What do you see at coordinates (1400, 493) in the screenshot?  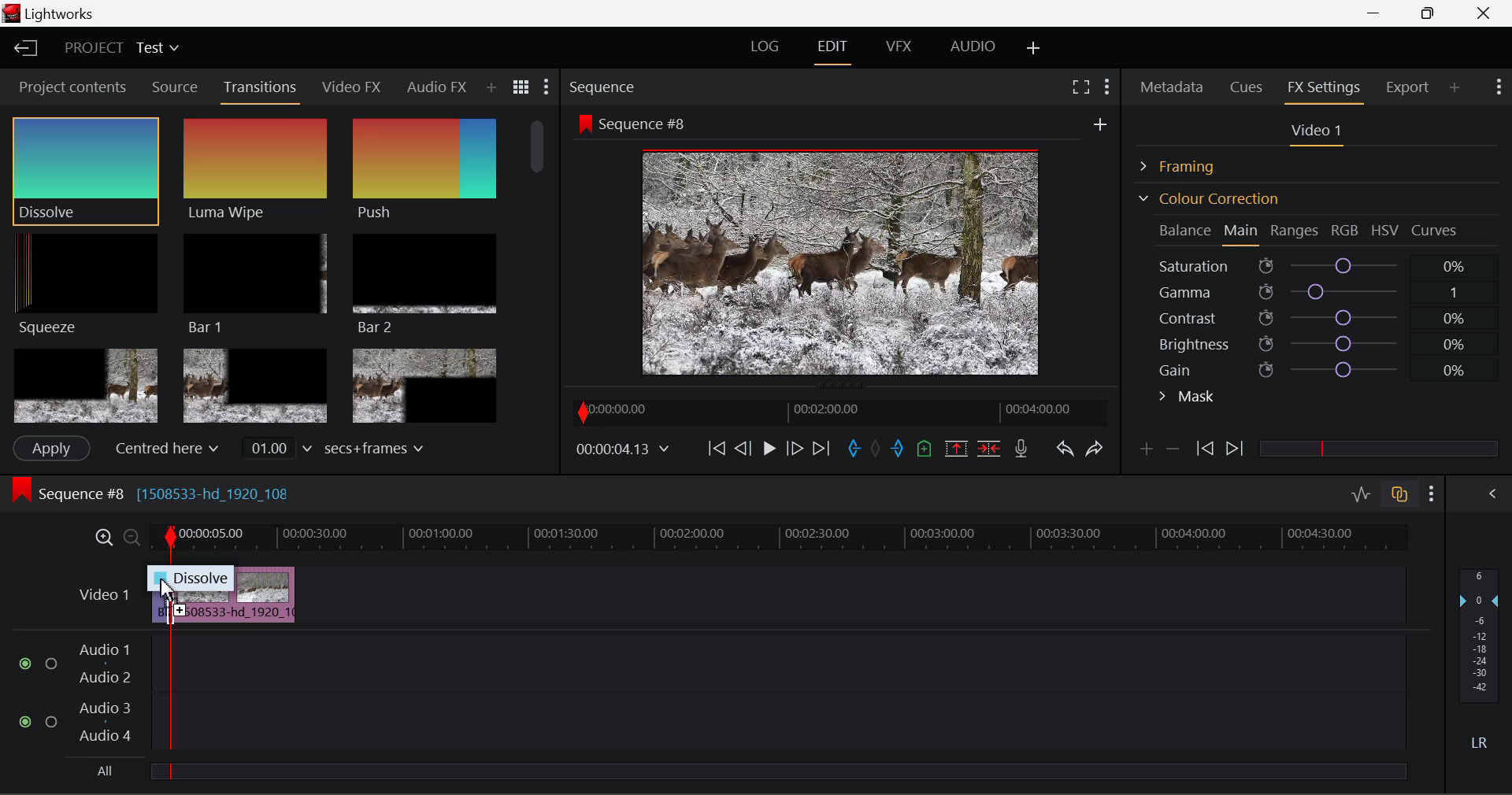 I see `Toggle audio track sync` at bounding box center [1400, 493].